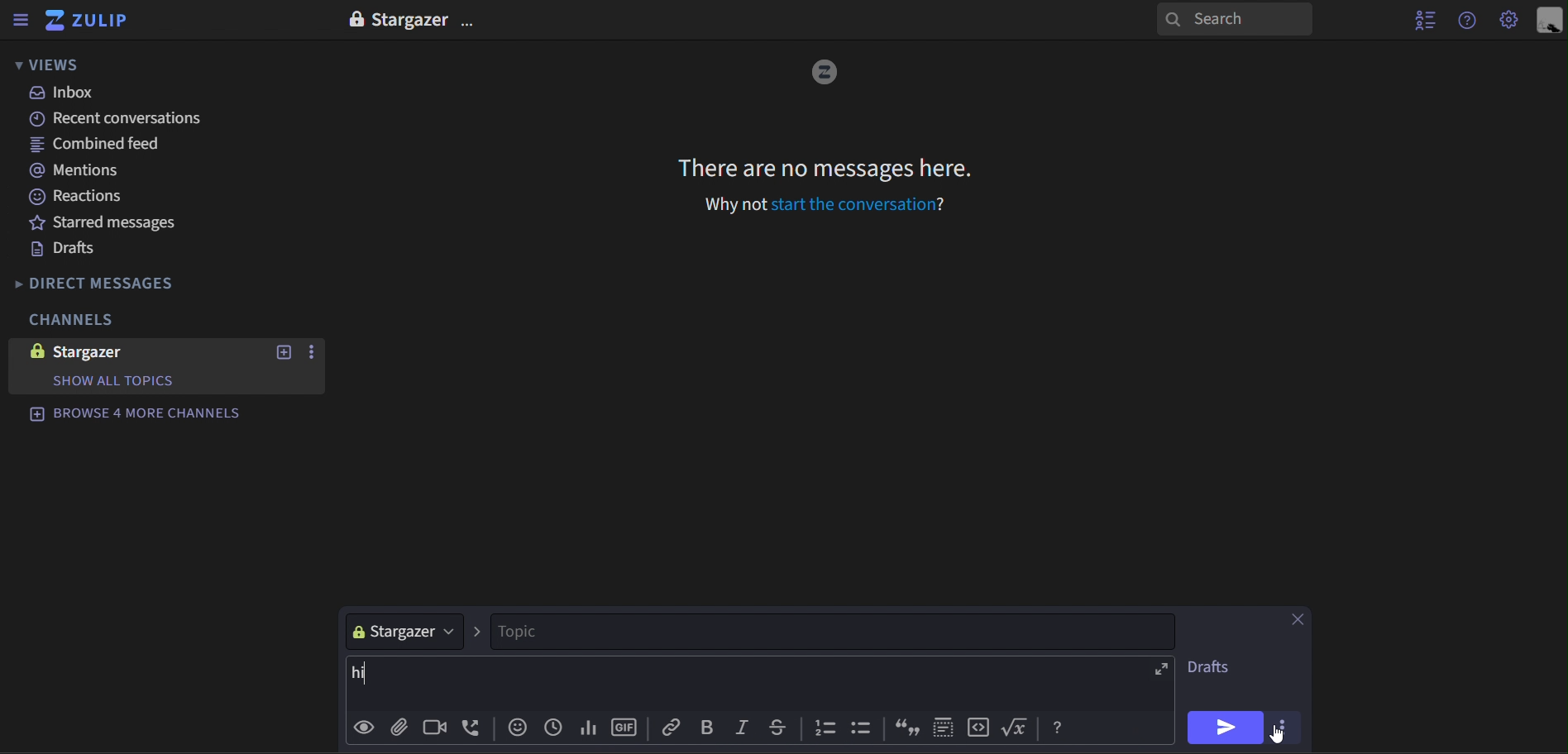  Describe the element at coordinates (1238, 21) in the screenshot. I see `search panel` at that location.